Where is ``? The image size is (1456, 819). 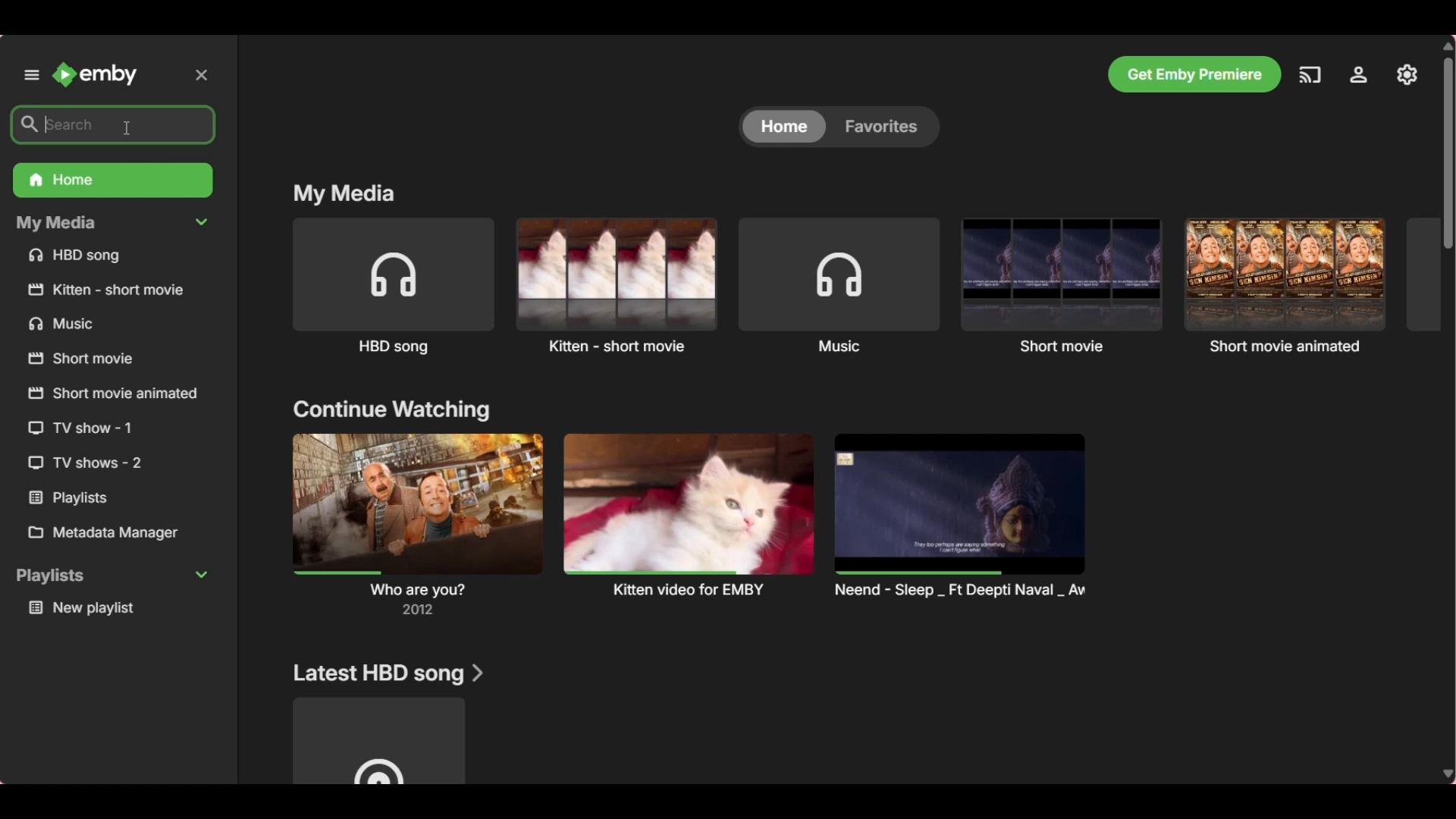  is located at coordinates (102, 325).